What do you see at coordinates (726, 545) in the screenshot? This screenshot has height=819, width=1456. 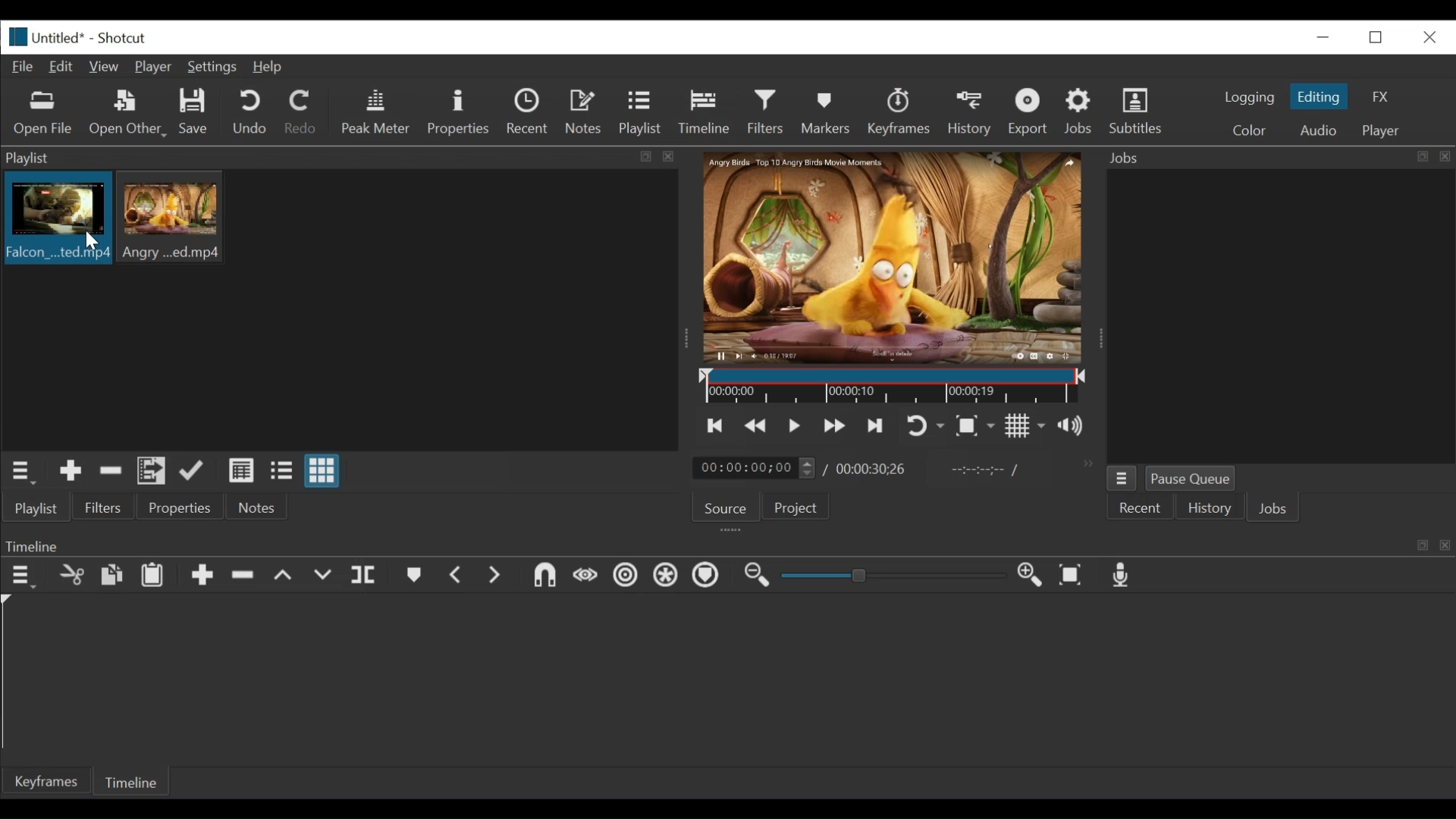 I see `Timeline Panel` at bounding box center [726, 545].